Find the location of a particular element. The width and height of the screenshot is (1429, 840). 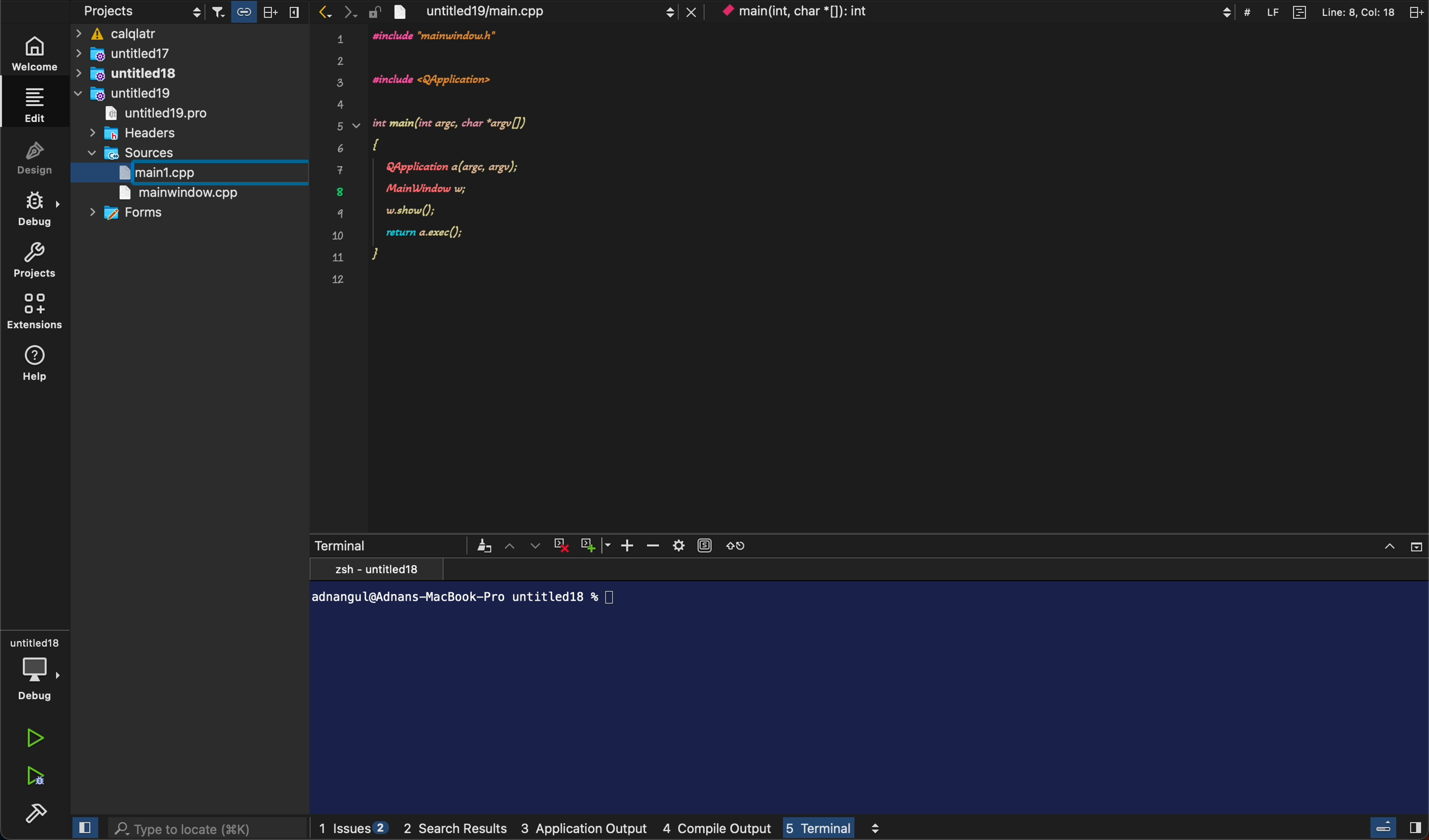

main window is located at coordinates (189, 195).